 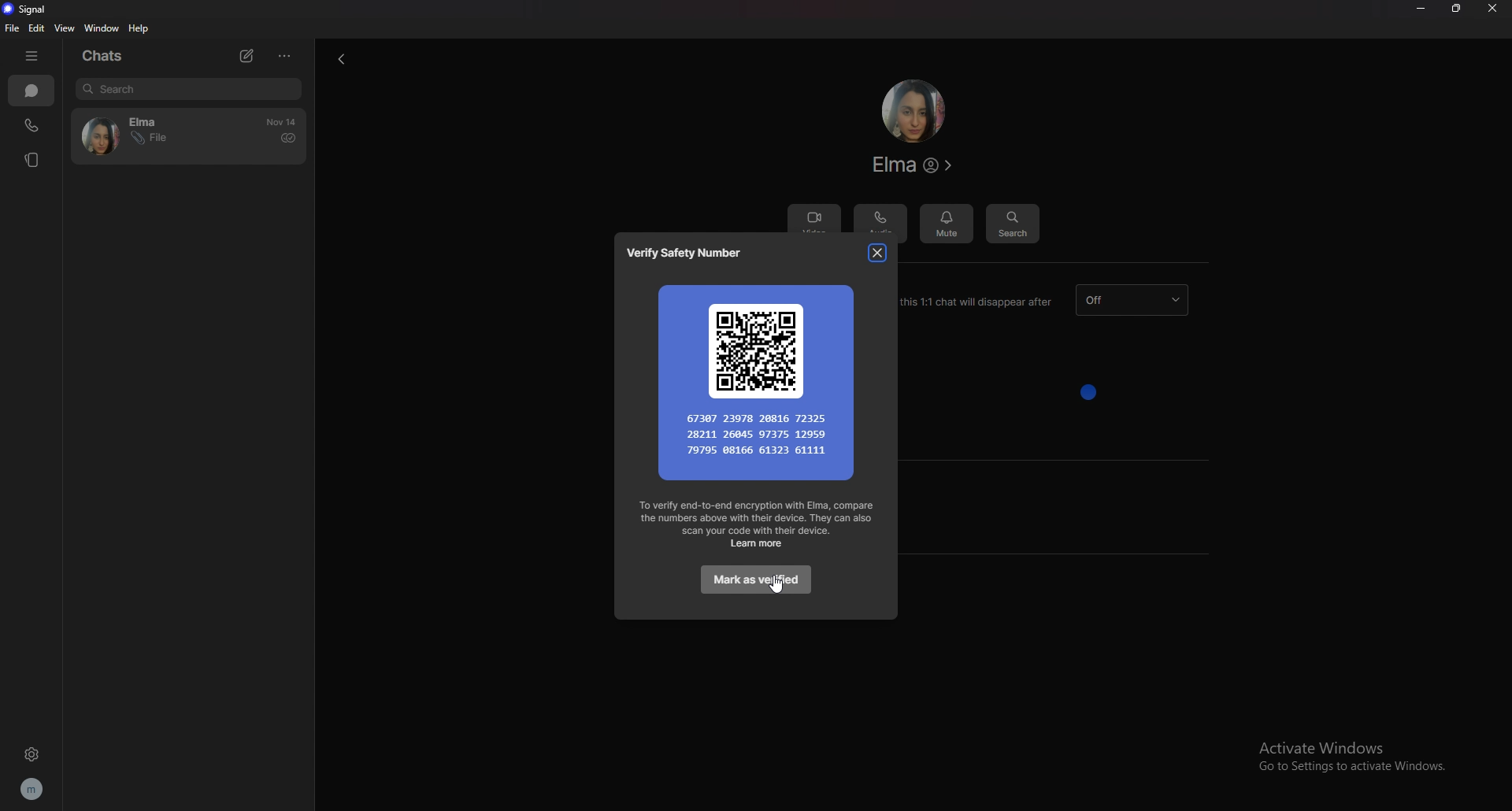 What do you see at coordinates (250, 56) in the screenshot?
I see `new chat` at bounding box center [250, 56].